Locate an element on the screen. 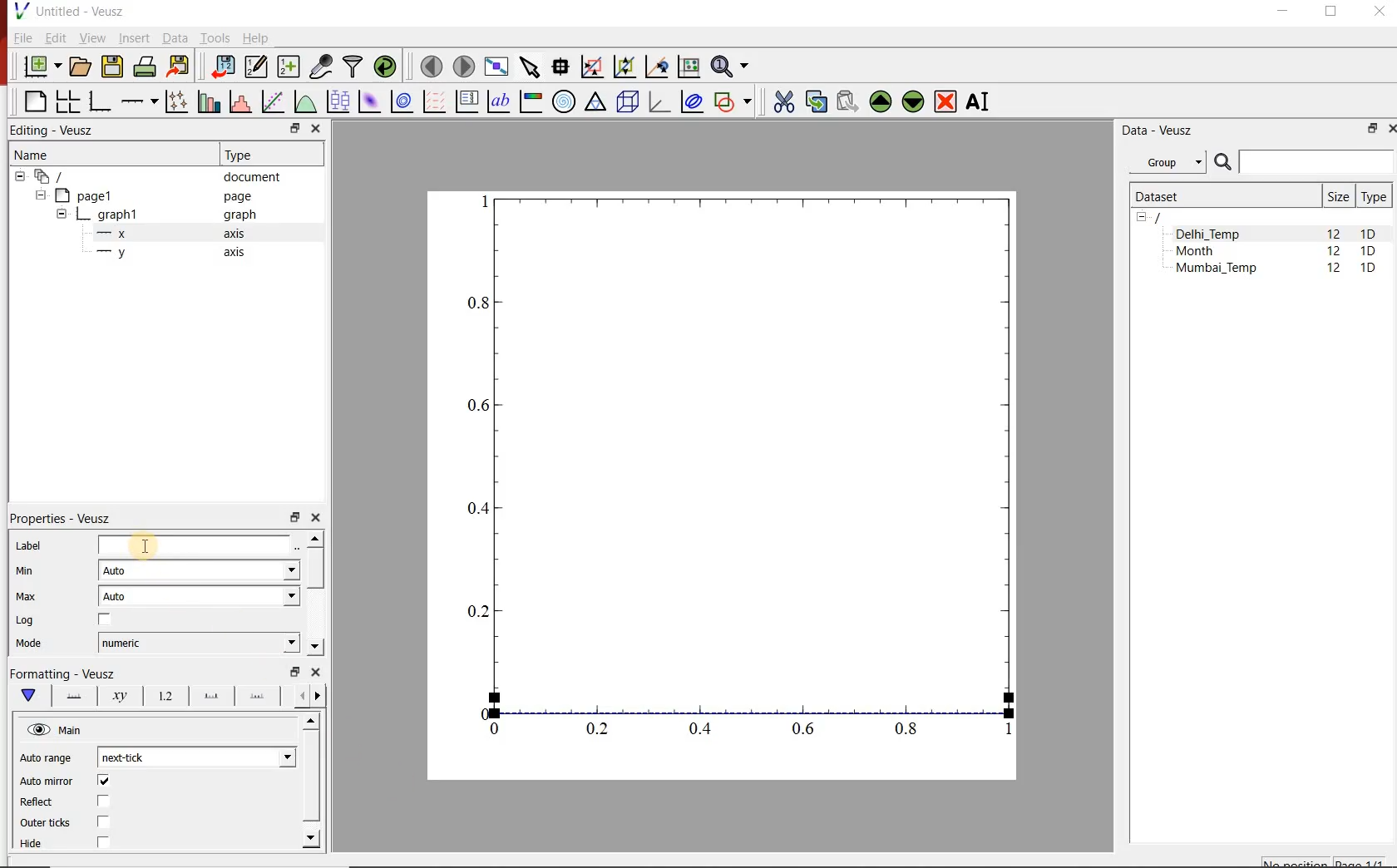  capture remote data is located at coordinates (322, 67).